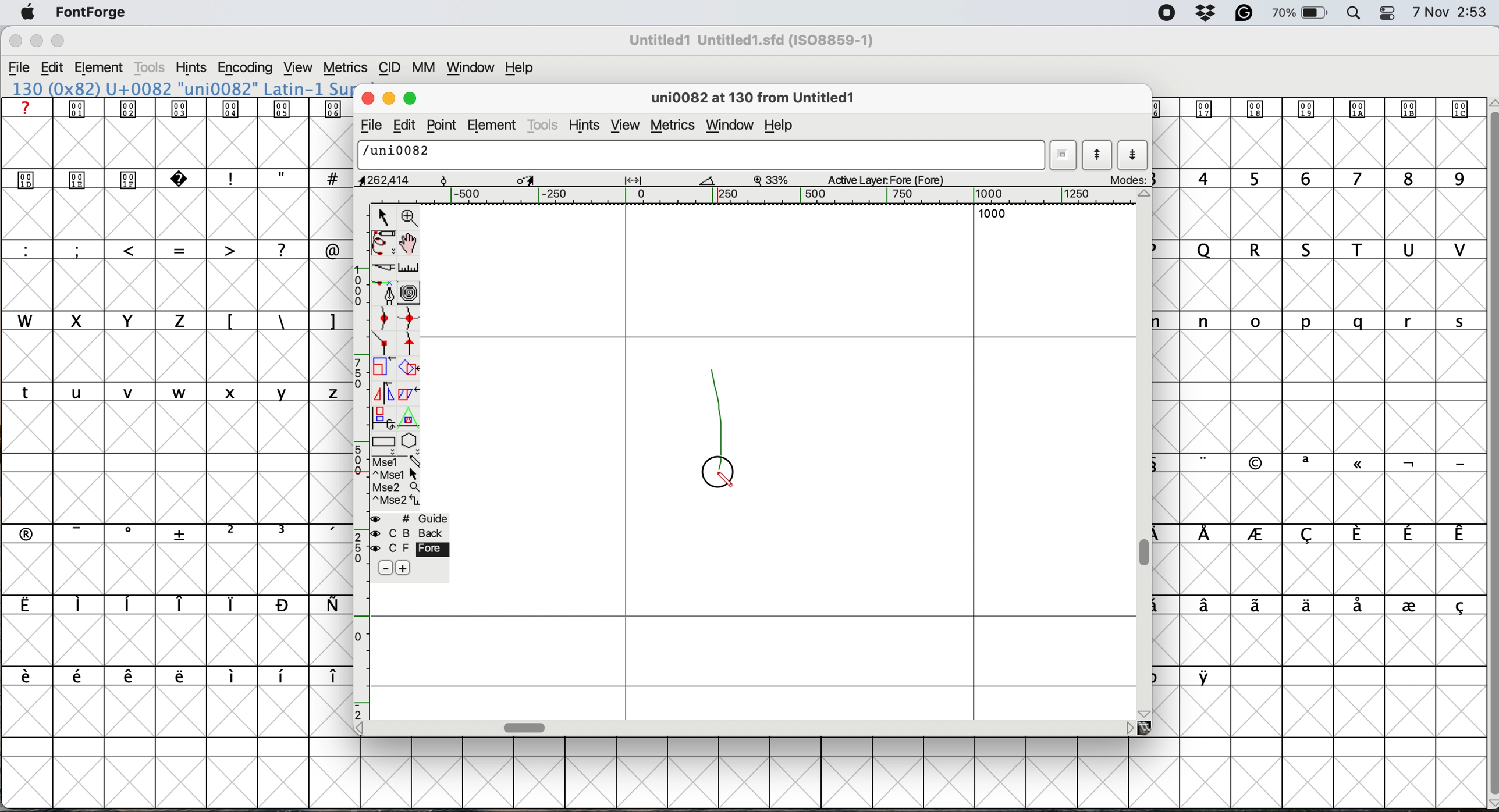 This screenshot has width=1499, height=812. I want to click on hints, so click(192, 69).